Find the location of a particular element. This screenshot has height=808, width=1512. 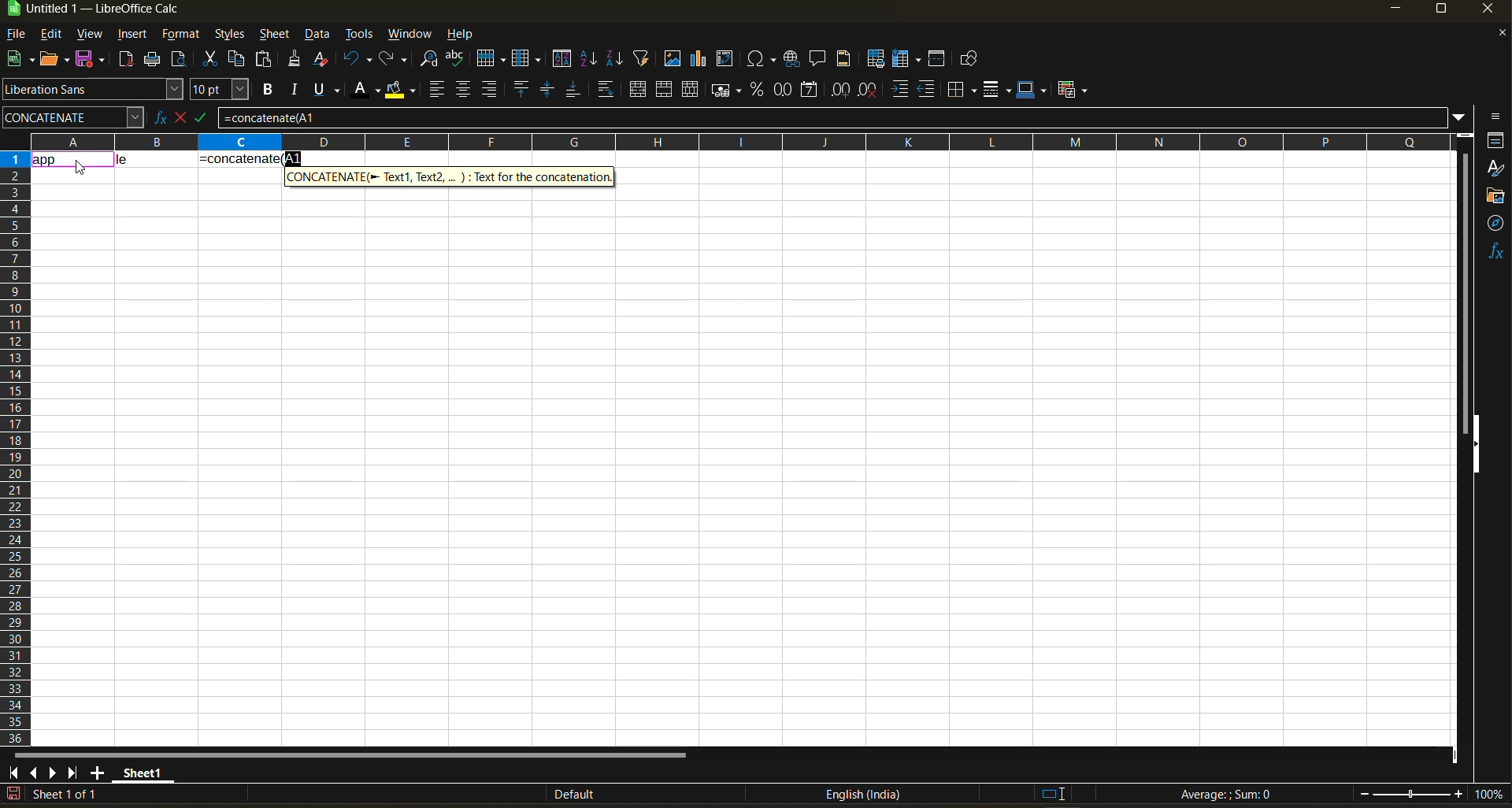

vertical scroll bar is located at coordinates (1465, 282).